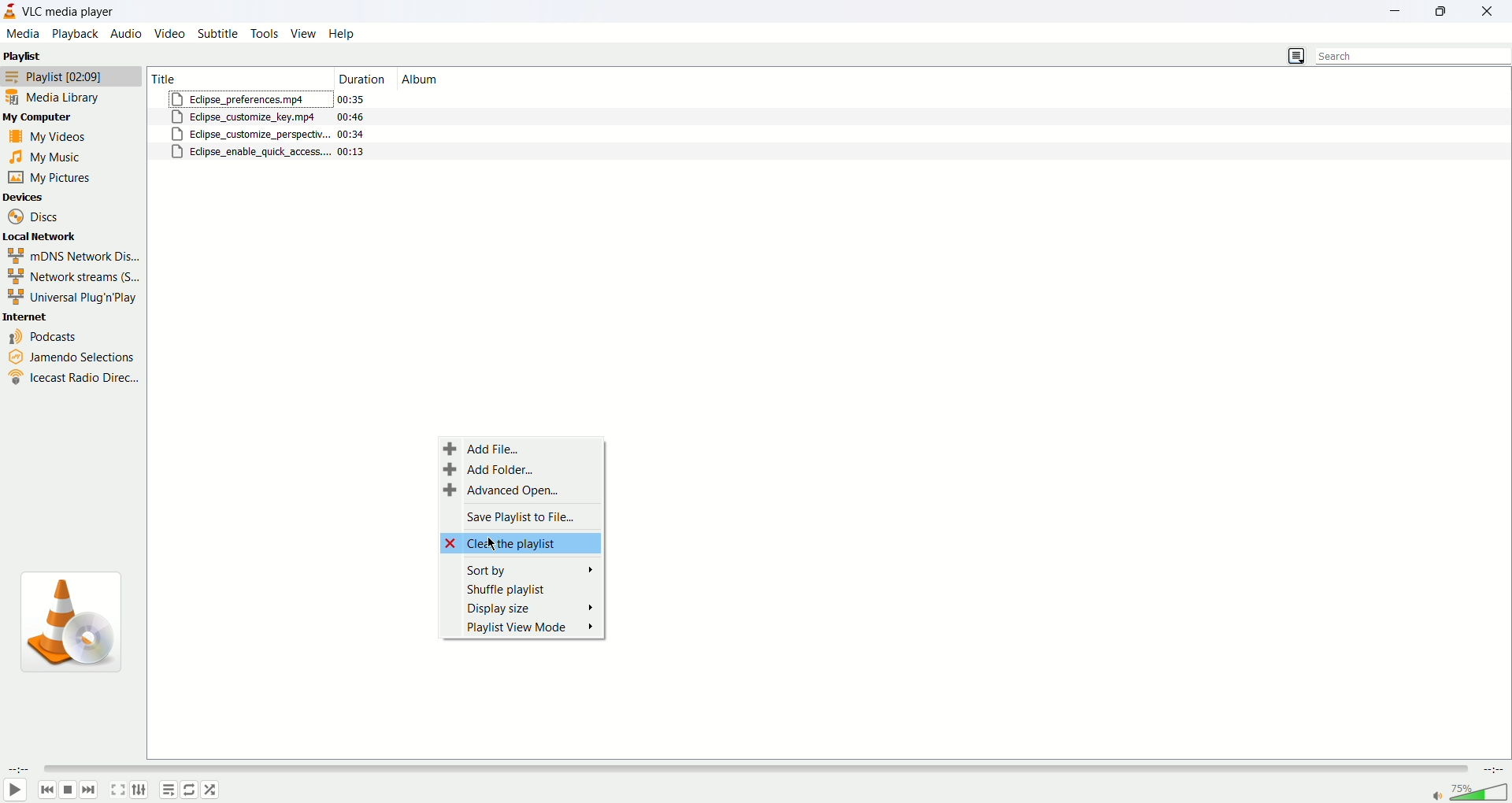 This screenshot has height=803, width=1512. What do you see at coordinates (302, 34) in the screenshot?
I see `view` at bounding box center [302, 34].